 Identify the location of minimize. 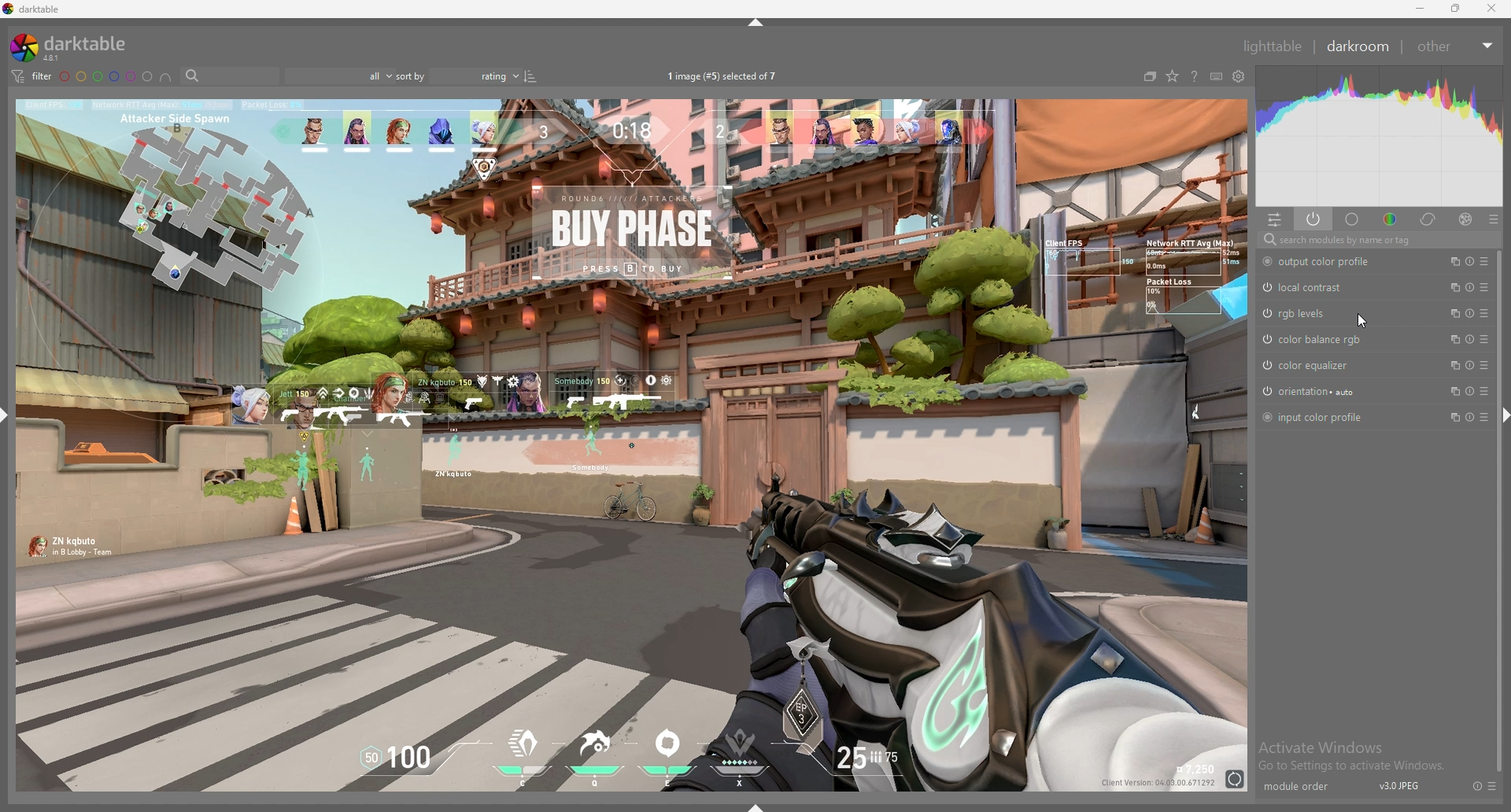
(1420, 9).